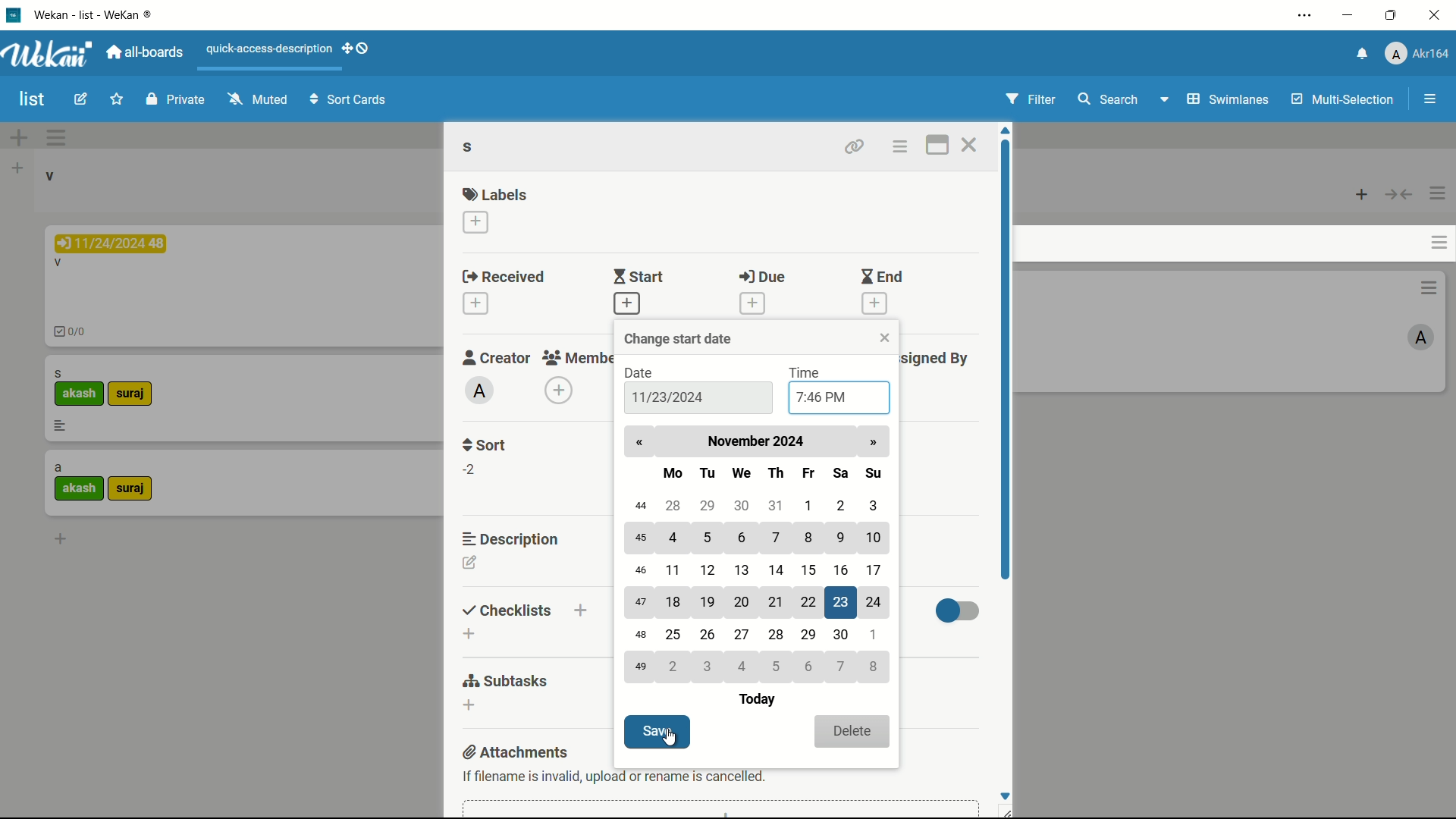 The height and width of the screenshot is (819, 1456). What do you see at coordinates (33, 100) in the screenshot?
I see `board name` at bounding box center [33, 100].